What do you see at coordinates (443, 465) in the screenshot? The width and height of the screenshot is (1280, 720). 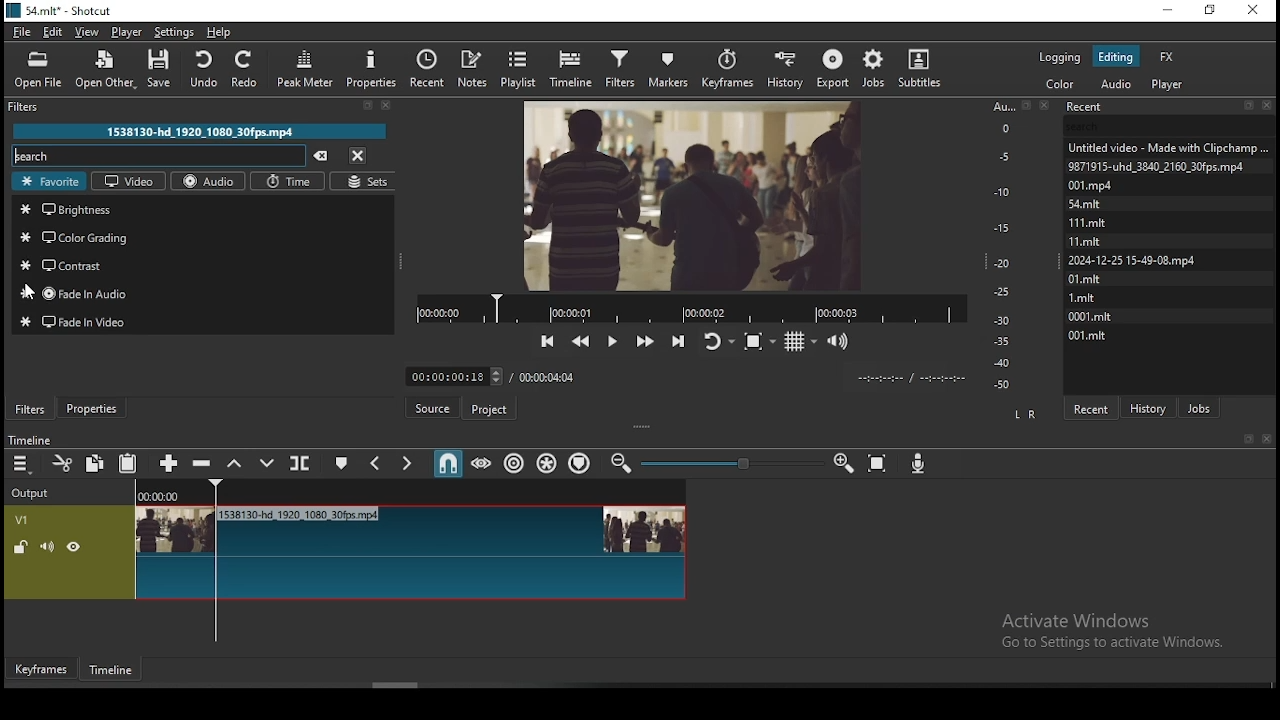 I see `snap` at bounding box center [443, 465].